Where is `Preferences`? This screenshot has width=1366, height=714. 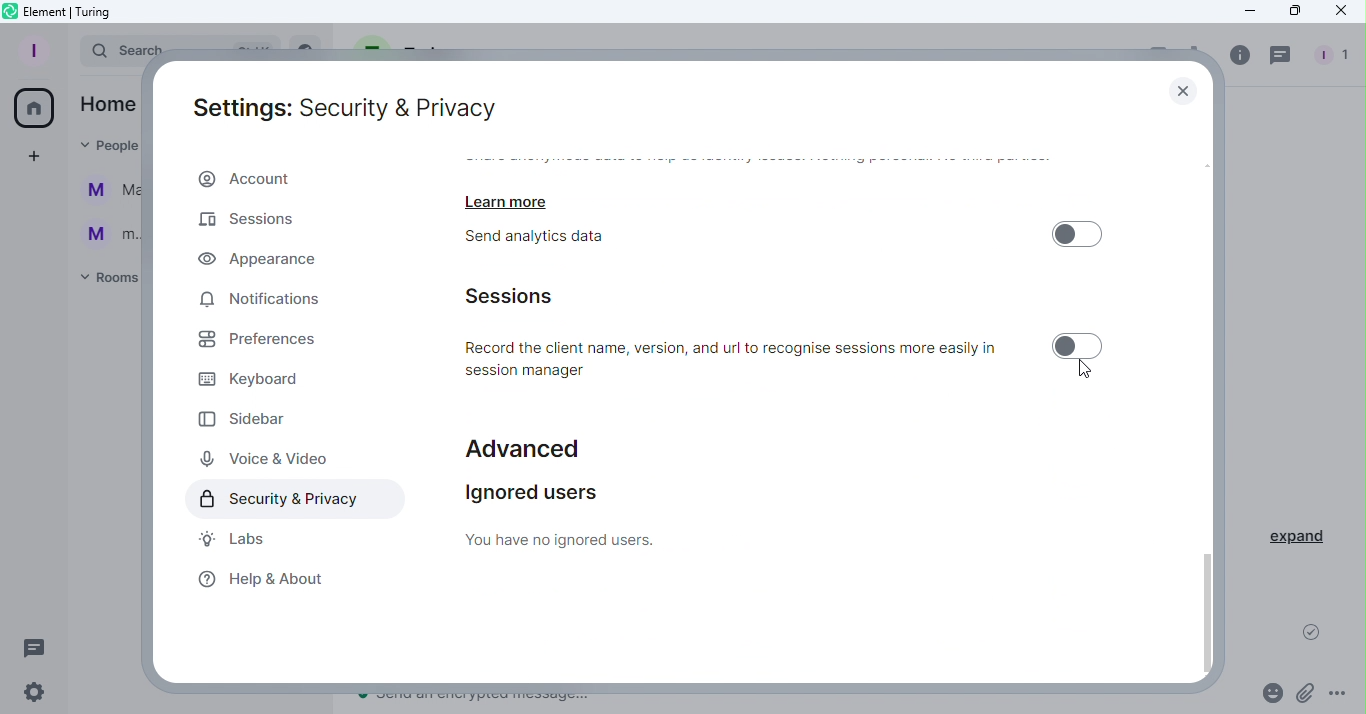
Preferences is located at coordinates (276, 344).